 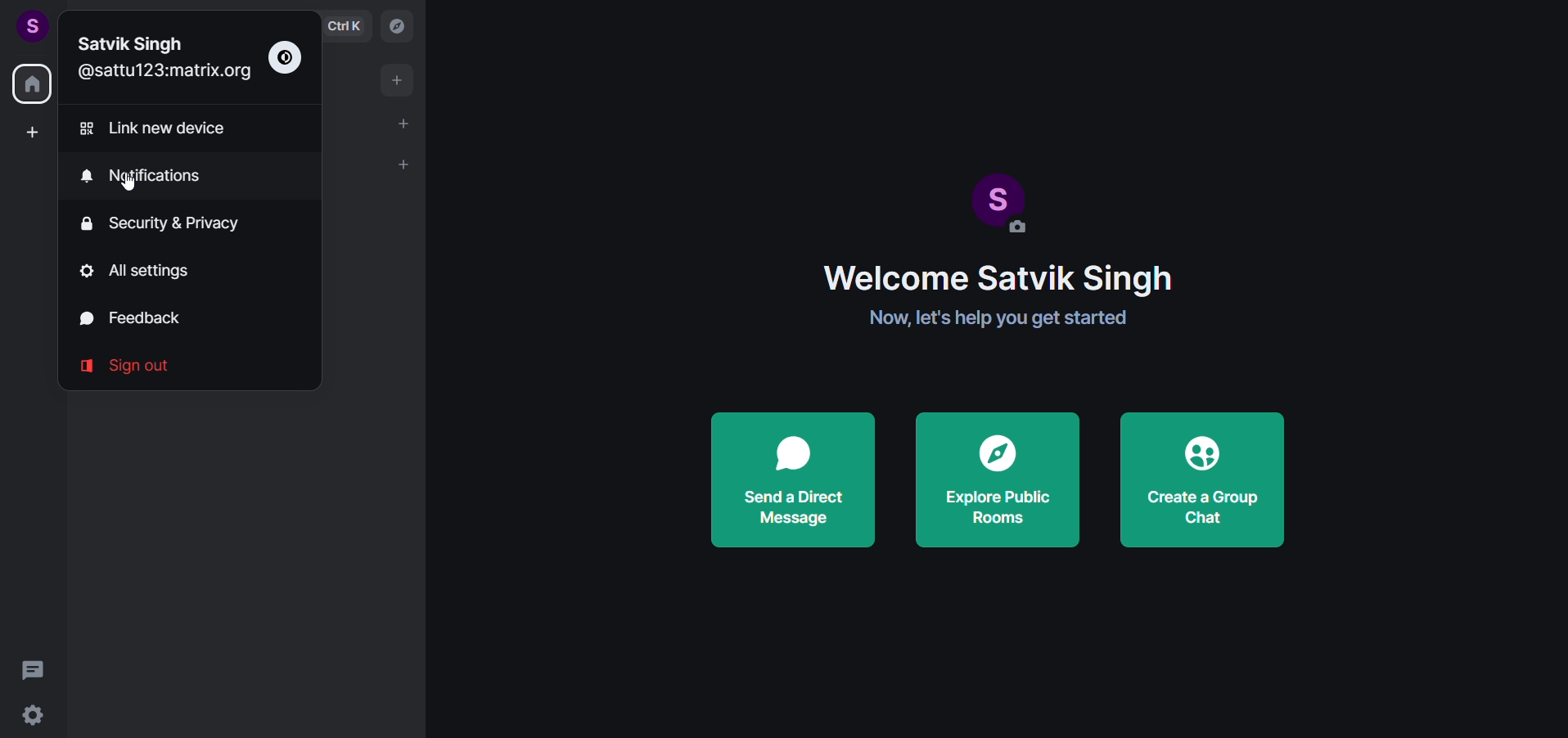 What do you see at coordinates (32, 664) in the screenshot?
I see `threads` at bounding box center [32, 664].